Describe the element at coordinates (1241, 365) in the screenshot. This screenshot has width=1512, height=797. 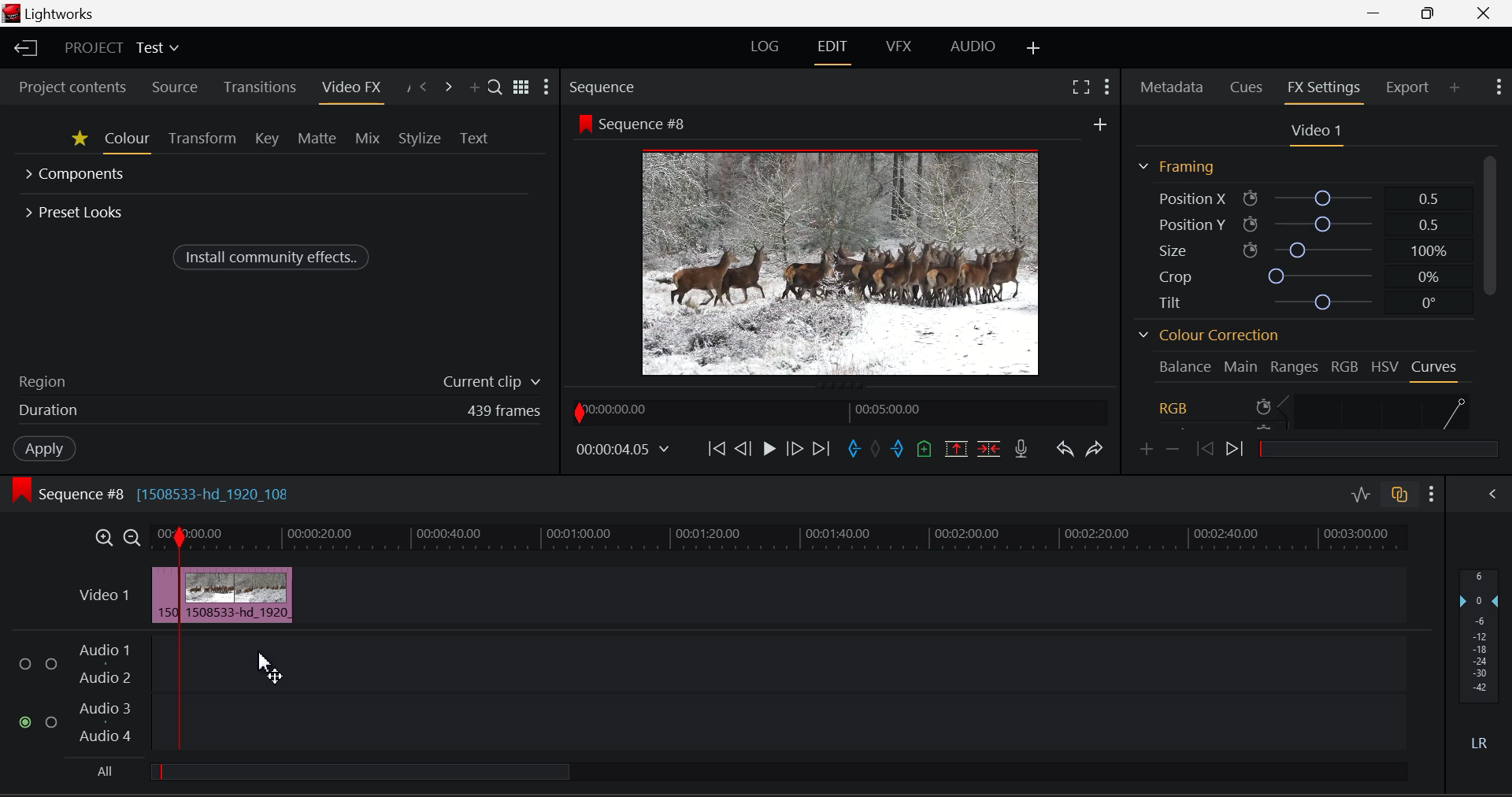
I see `Main` at that location.